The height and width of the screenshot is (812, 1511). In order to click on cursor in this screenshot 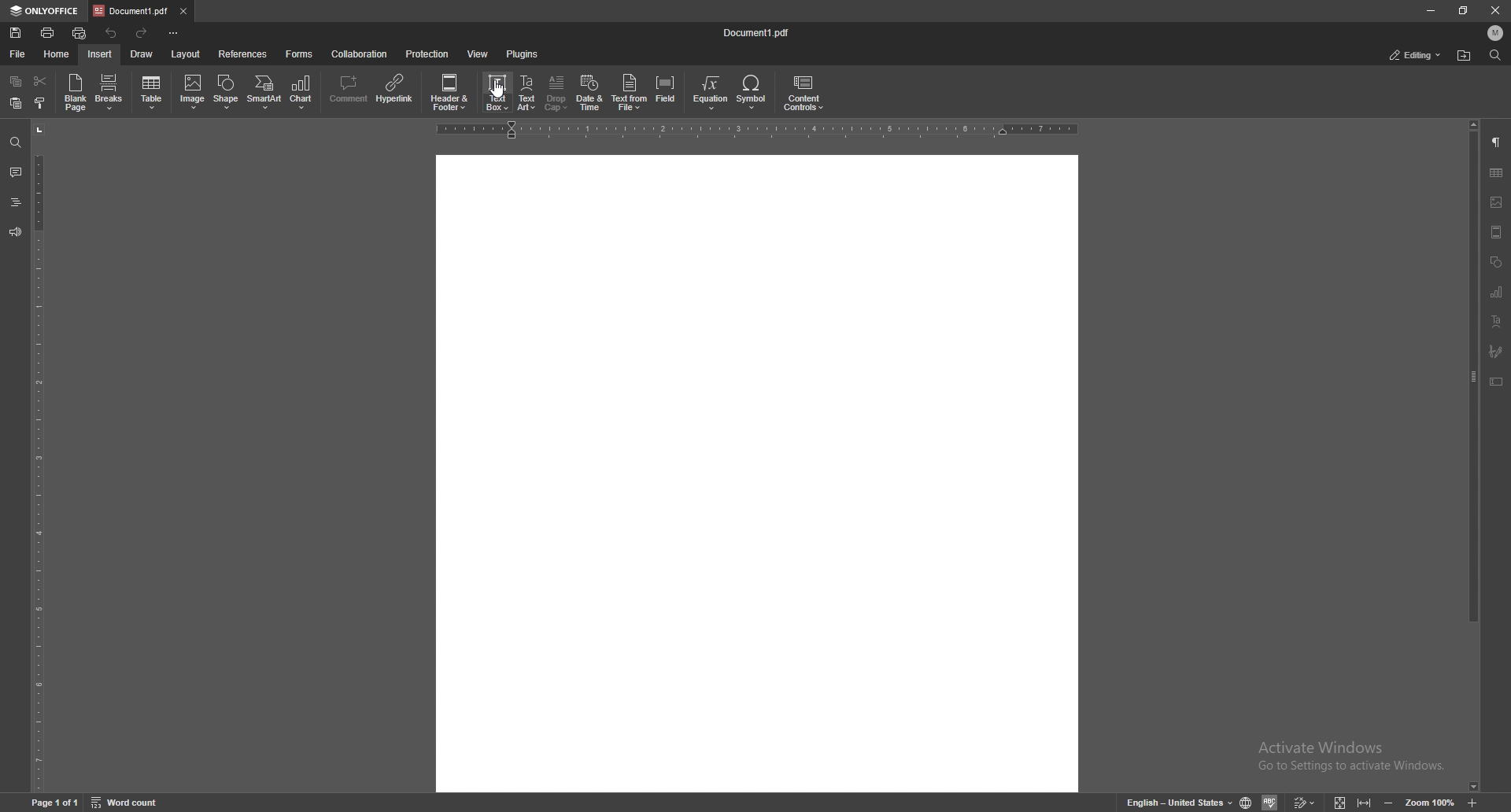, I will do `click(500, 95)`.